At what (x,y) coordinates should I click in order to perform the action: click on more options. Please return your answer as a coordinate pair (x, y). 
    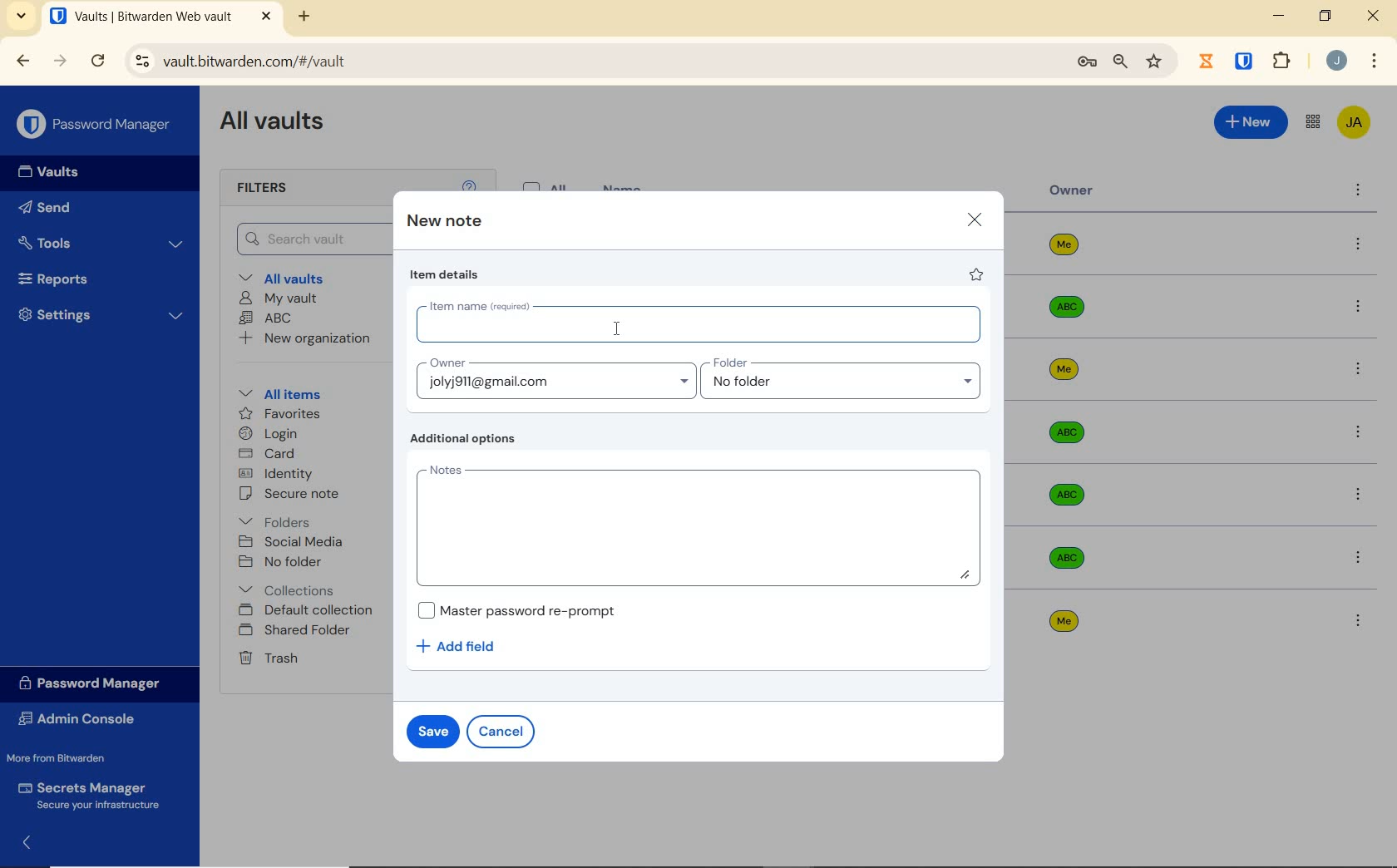
    Looking at the image, I should click on (1357, 432).